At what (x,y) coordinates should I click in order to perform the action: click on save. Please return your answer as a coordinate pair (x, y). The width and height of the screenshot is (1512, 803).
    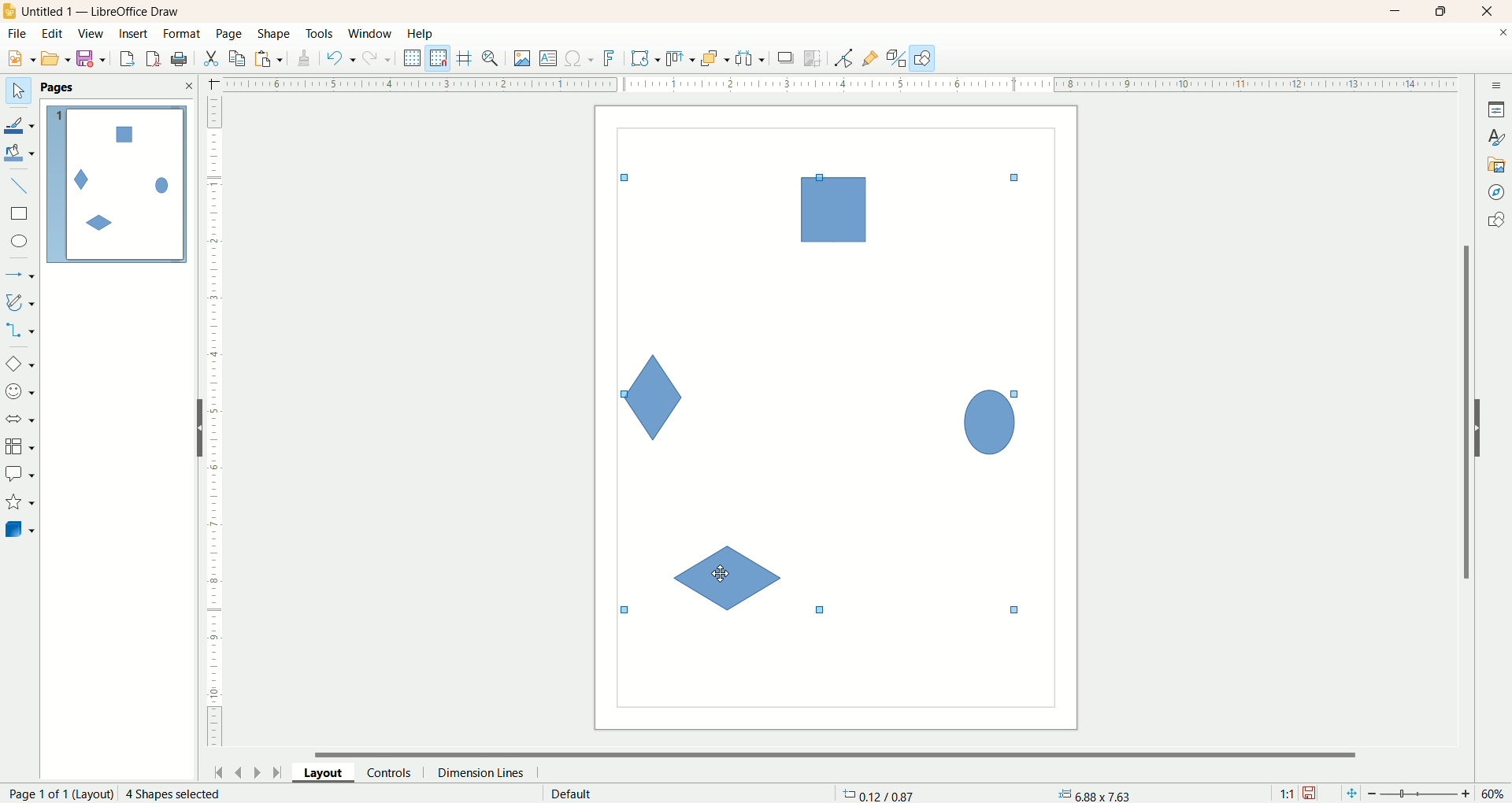
    Looking at the image, I should click on (94, 59).